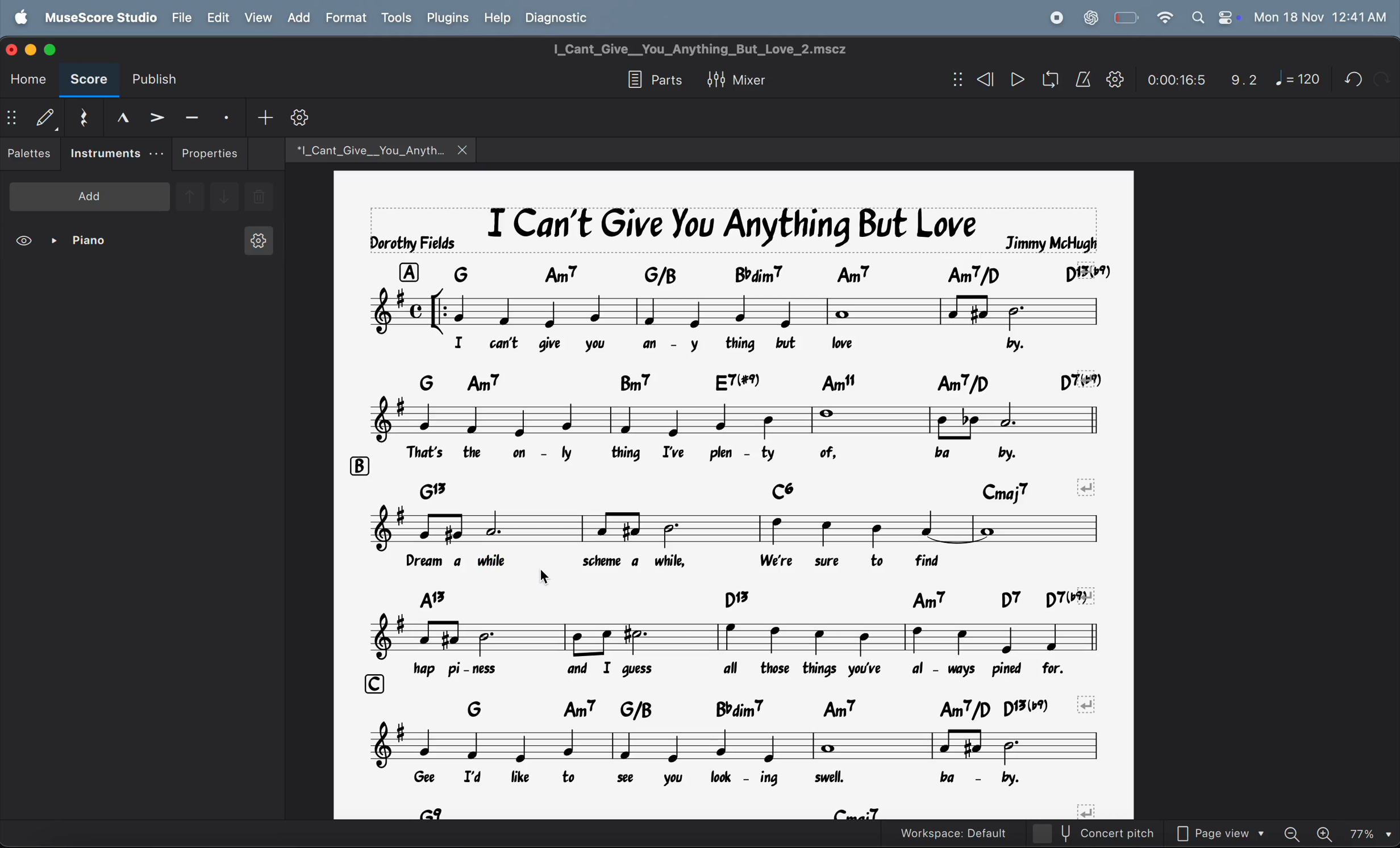 The height and width of the screenshot is (848, 1400). I want to click on rest, so click(81, 115).